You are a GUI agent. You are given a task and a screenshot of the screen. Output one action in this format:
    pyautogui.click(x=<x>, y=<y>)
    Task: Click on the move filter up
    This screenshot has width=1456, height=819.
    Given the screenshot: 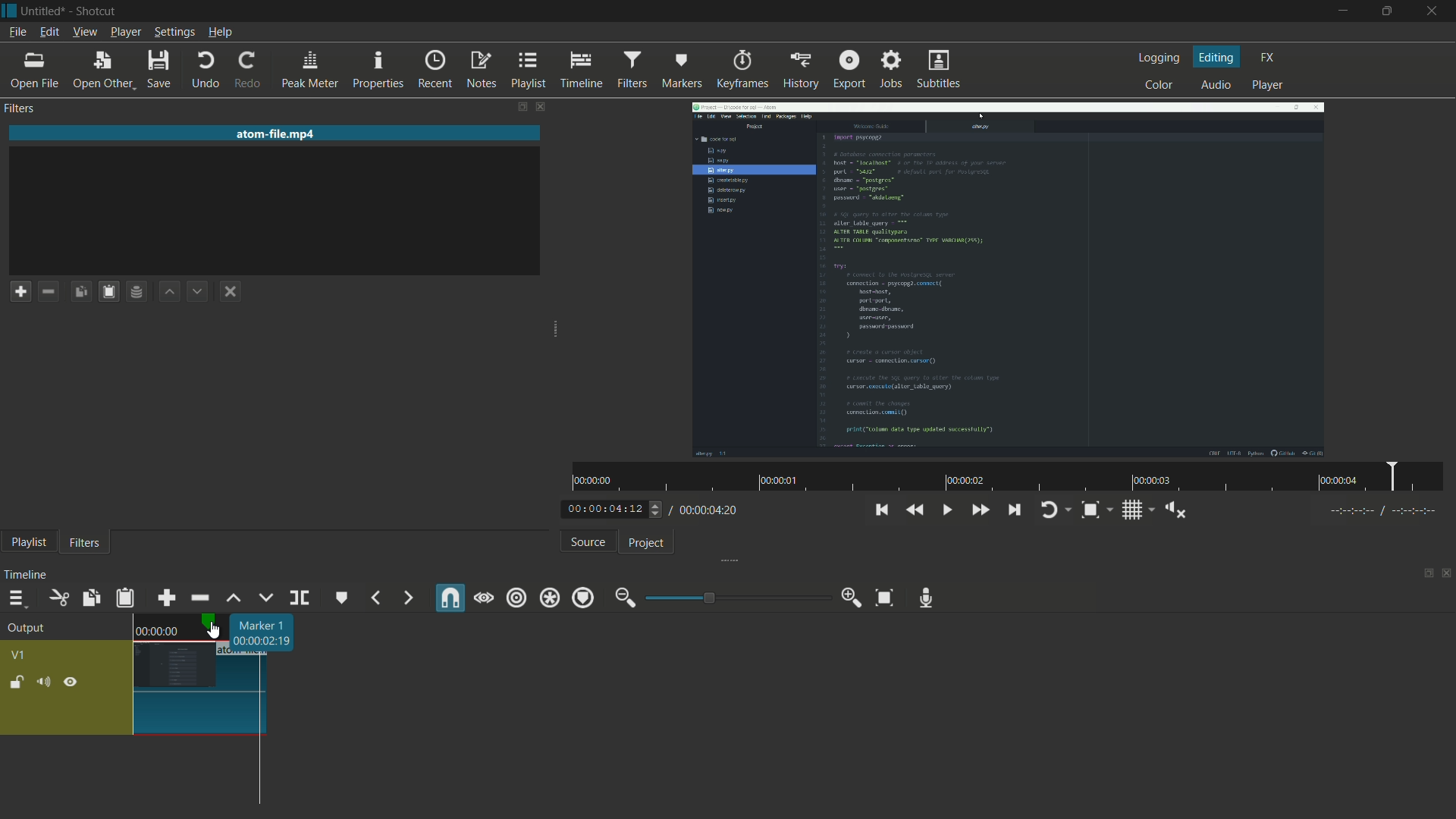 What is the action you would take?
    pyautogui.click(x=168, y=293)
    